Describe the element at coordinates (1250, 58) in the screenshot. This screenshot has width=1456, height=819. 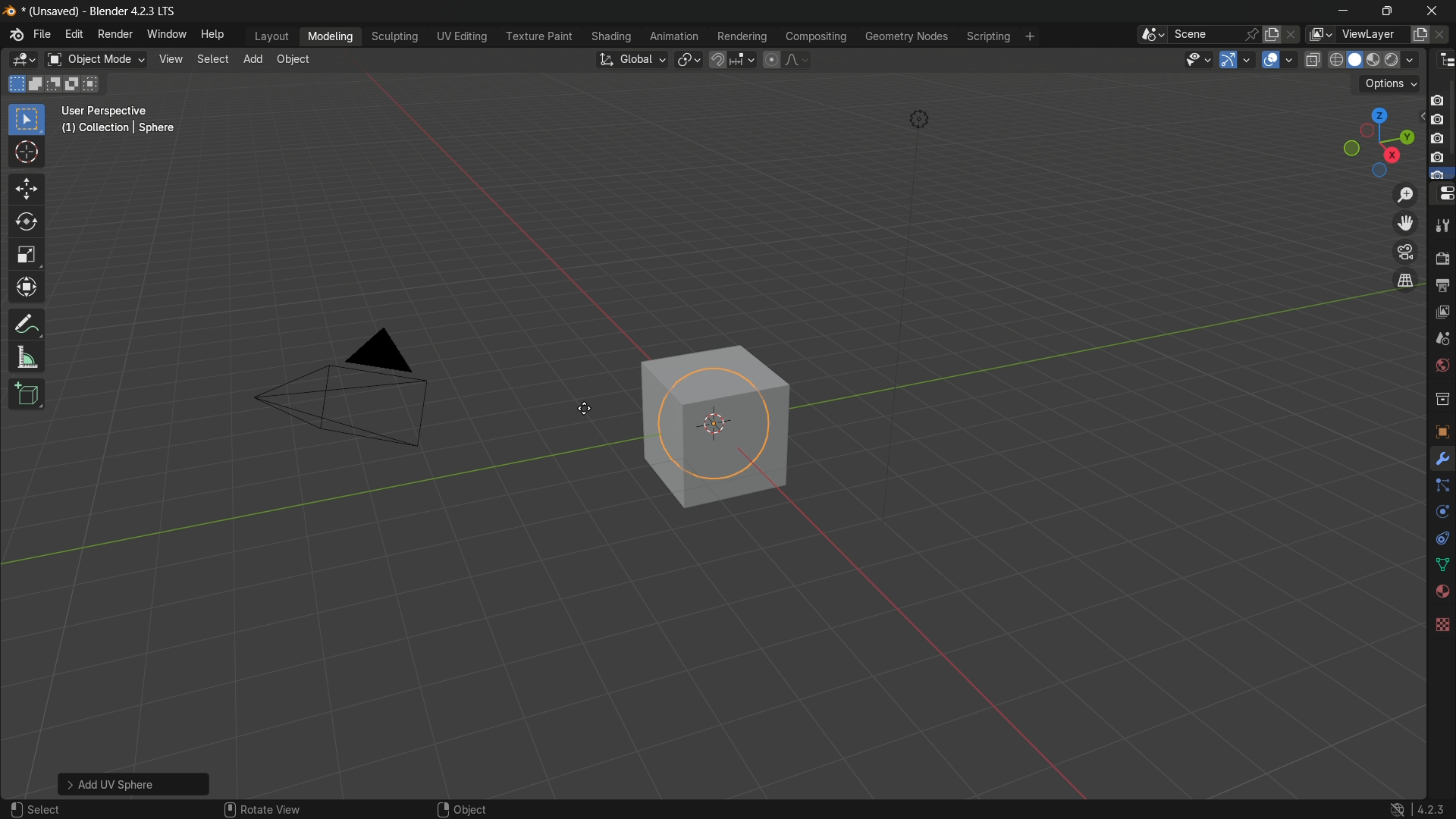
I see `gizmos` at that location.